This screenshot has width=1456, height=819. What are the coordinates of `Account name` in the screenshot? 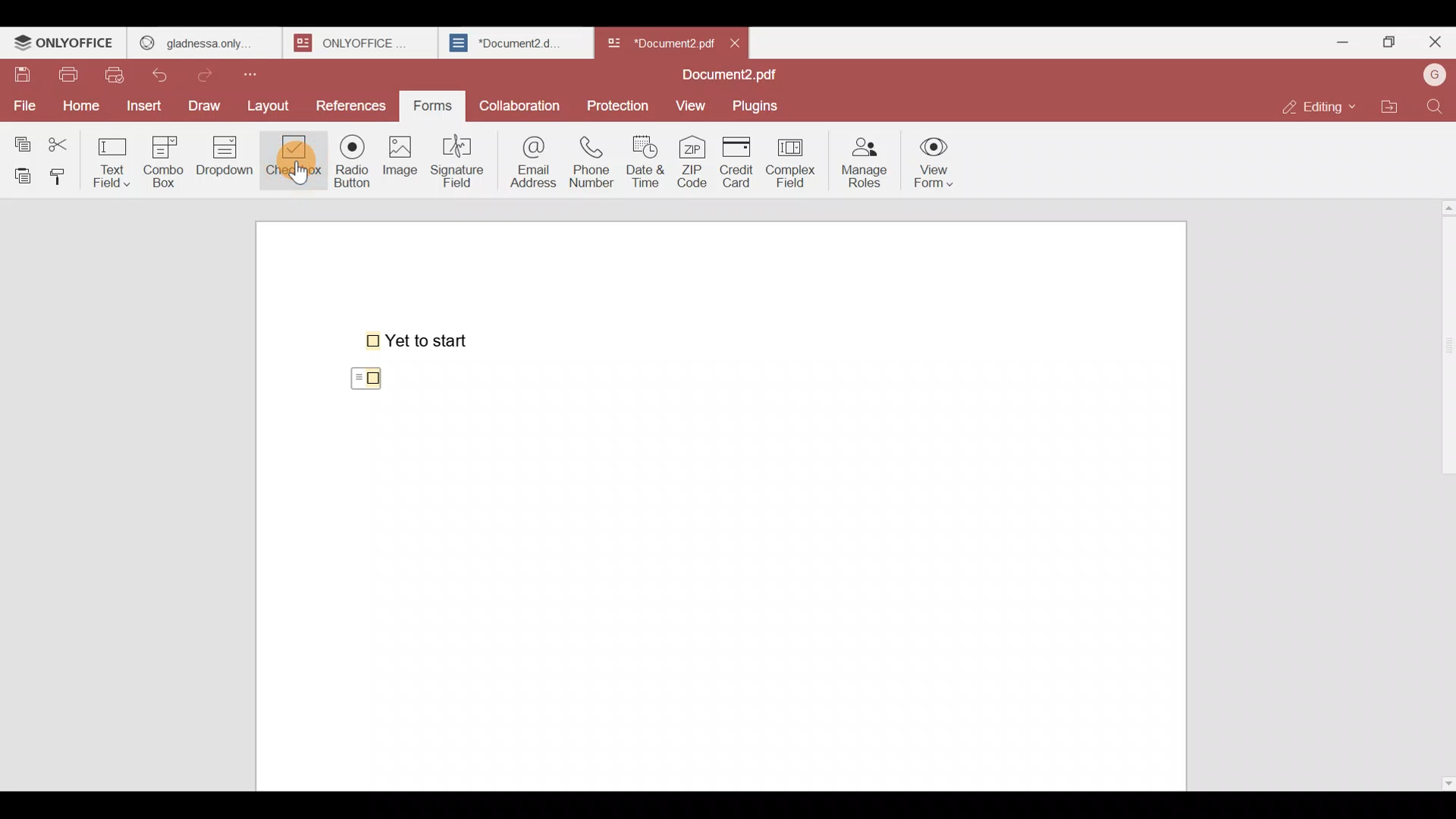 It's located at (1434, 74).